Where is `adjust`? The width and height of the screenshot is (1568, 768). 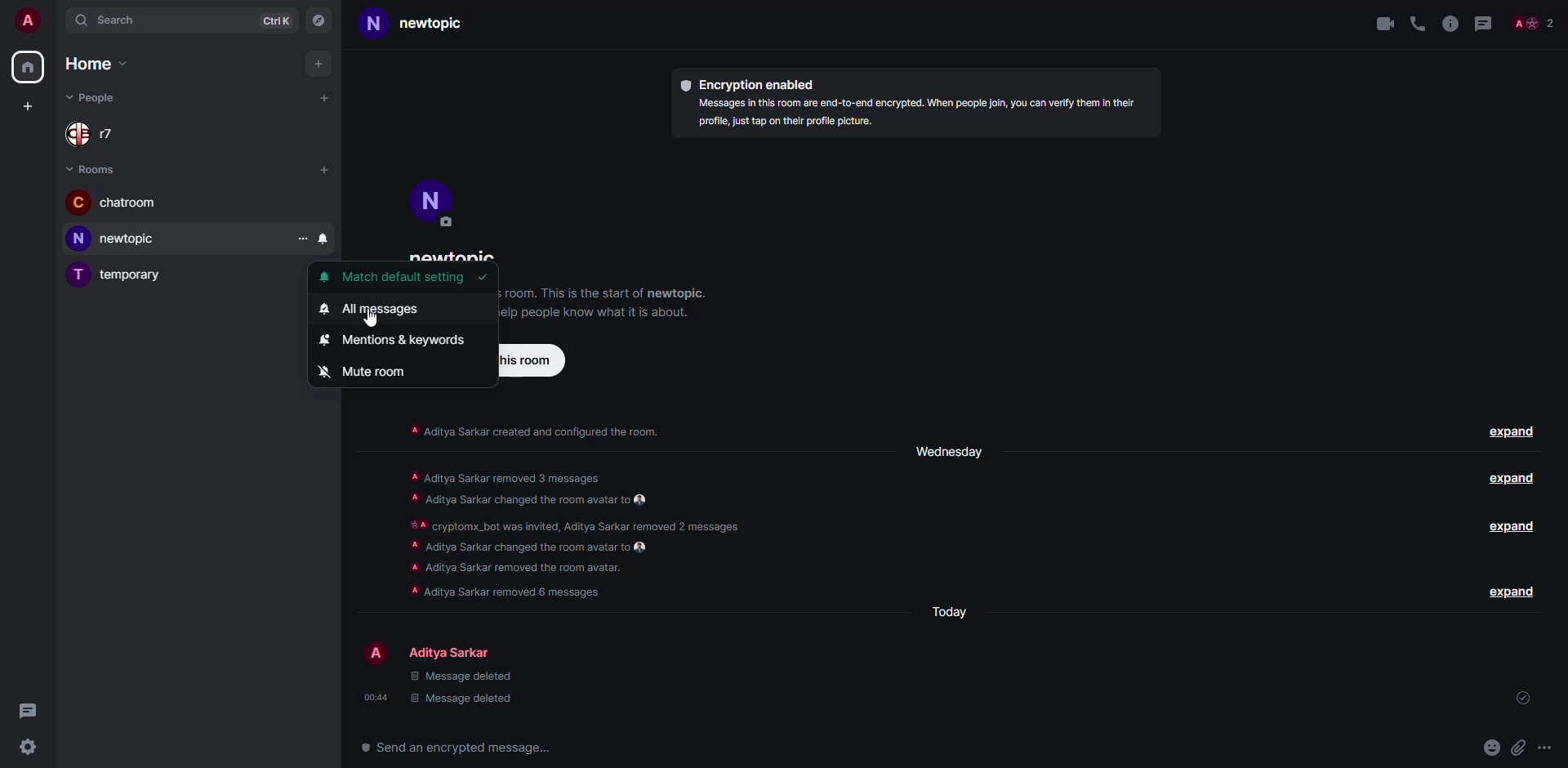 adjust is located at coordinates (198, 297).